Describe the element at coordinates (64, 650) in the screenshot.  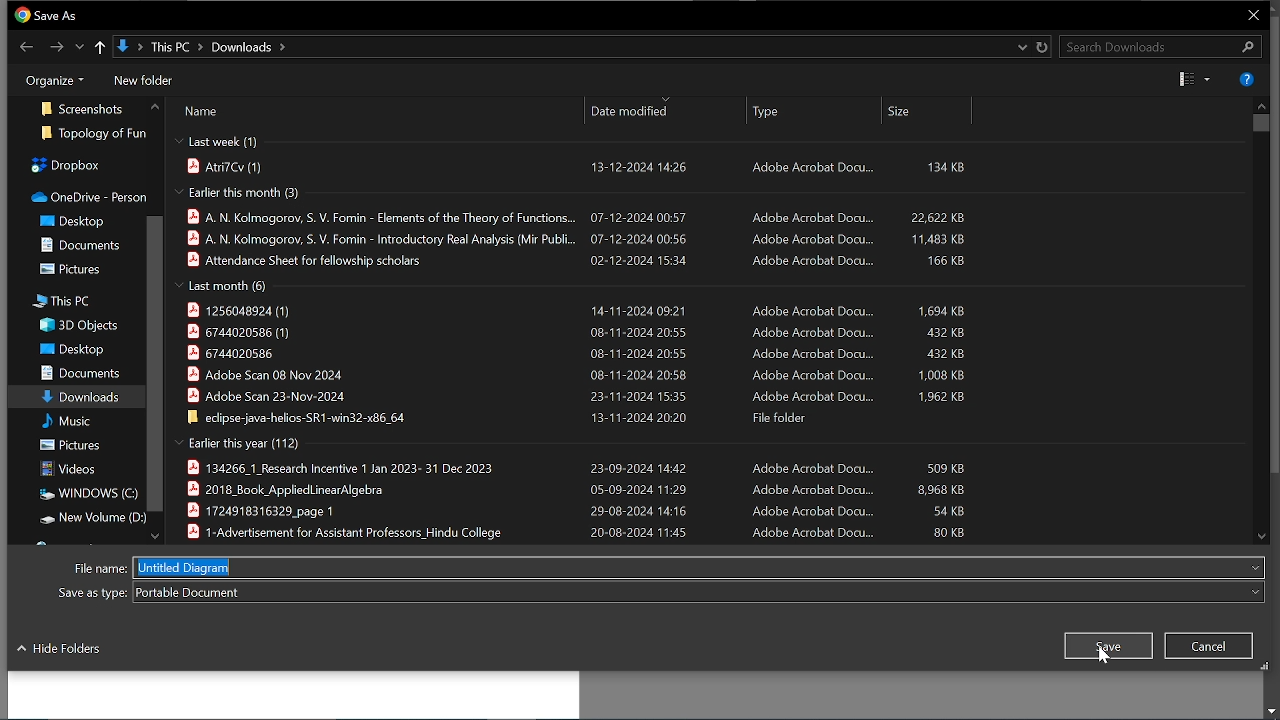
I see `hide folders` at that location.